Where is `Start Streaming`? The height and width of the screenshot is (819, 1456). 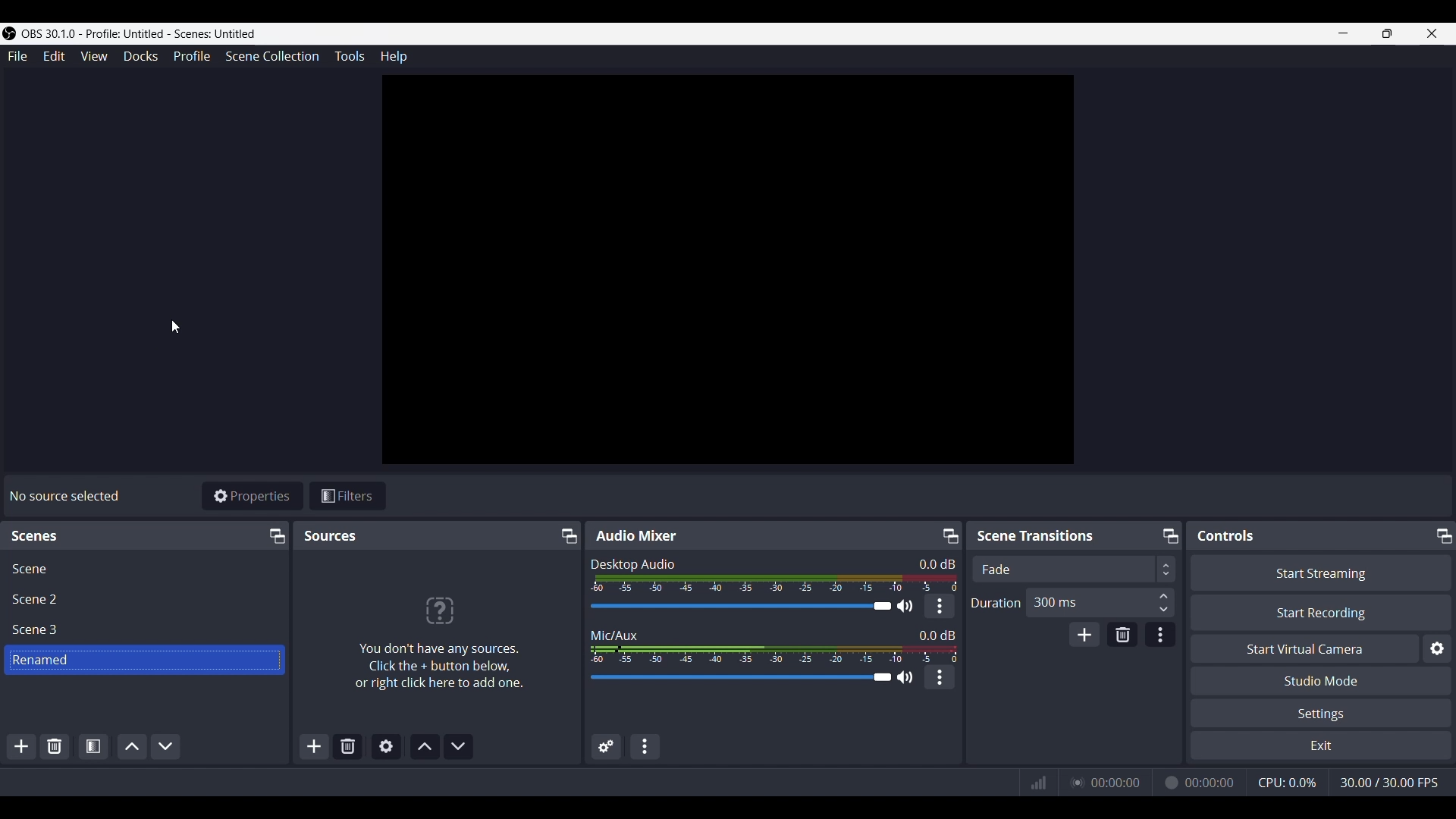
Start Streaming is located at coordinates (1320, 573).